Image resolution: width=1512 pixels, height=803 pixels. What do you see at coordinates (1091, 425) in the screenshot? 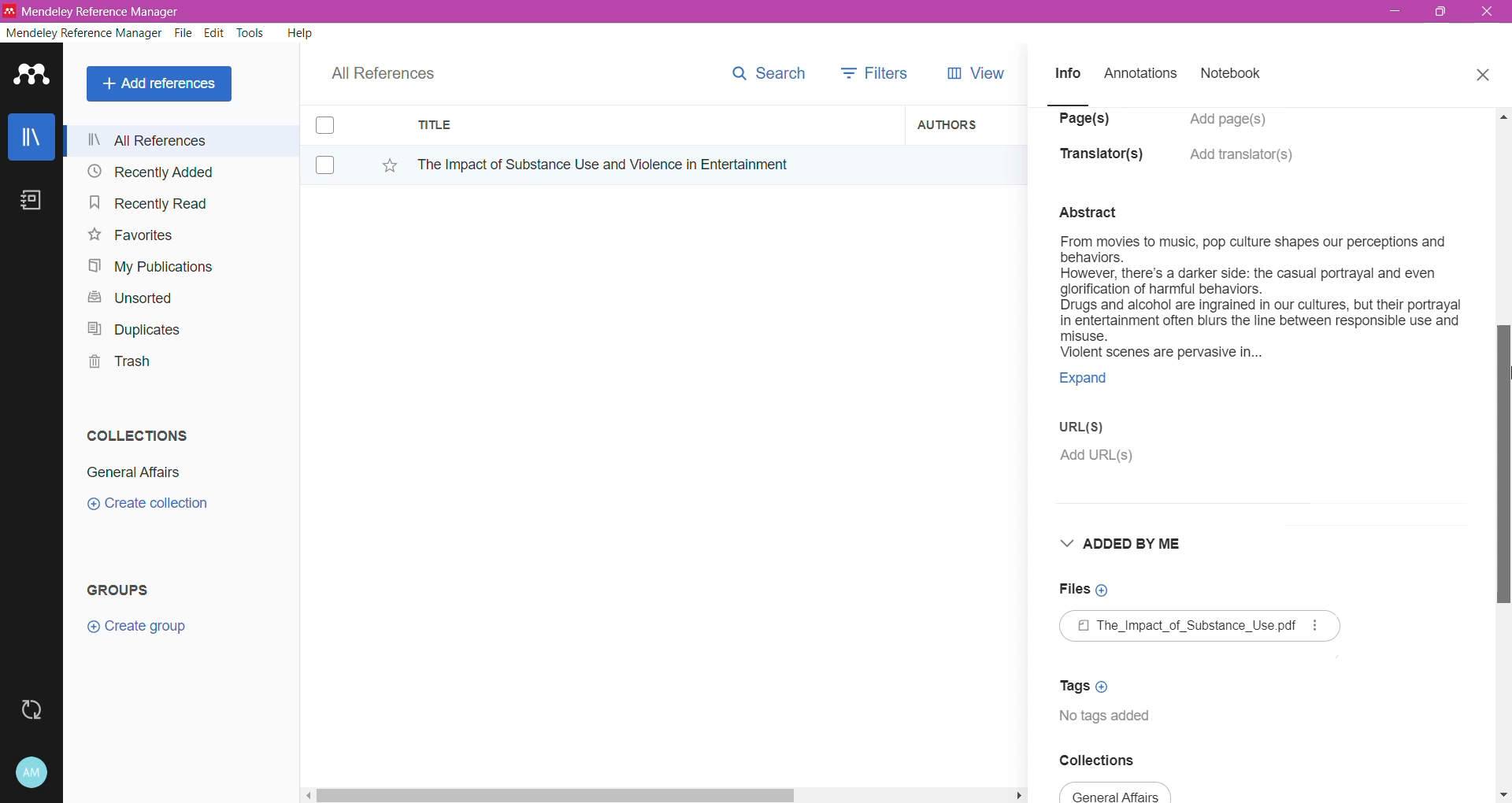
I see `URL(S)` at bounding box center [1091, 425].